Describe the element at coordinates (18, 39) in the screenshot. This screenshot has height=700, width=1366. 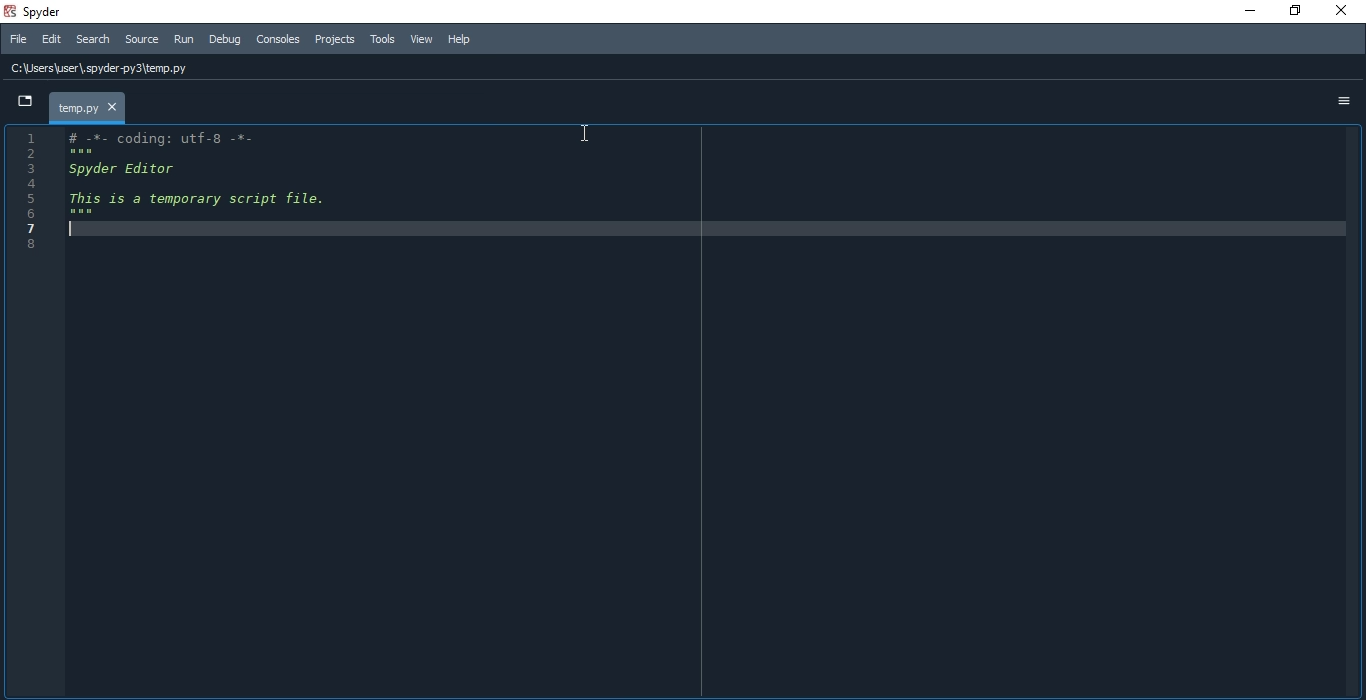
I see `File ` at that location.